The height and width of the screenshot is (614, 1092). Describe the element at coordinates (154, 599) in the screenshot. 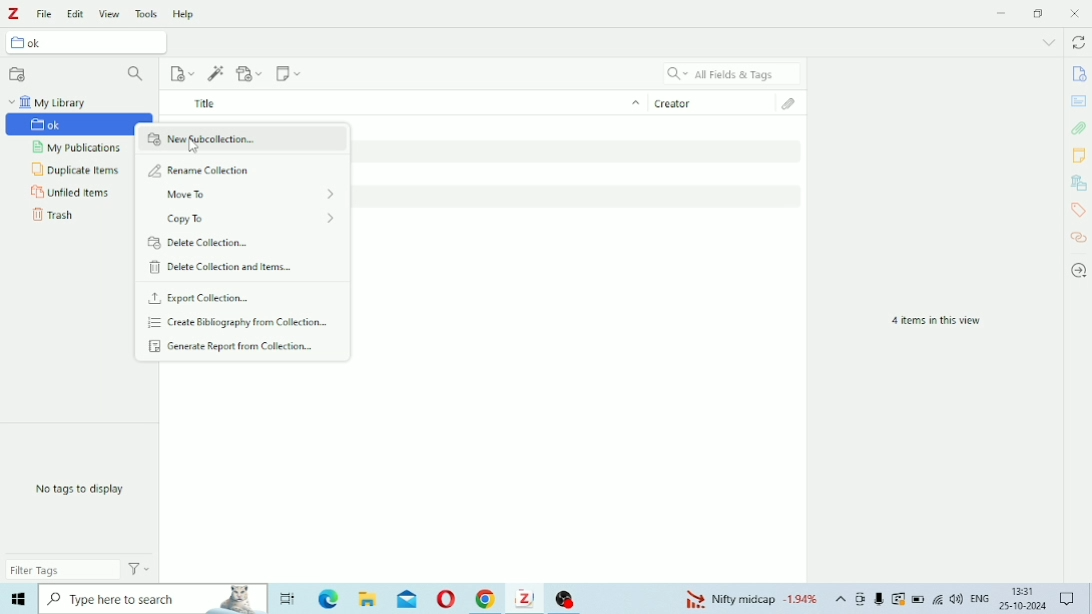

I see `Type here to search` at that location.